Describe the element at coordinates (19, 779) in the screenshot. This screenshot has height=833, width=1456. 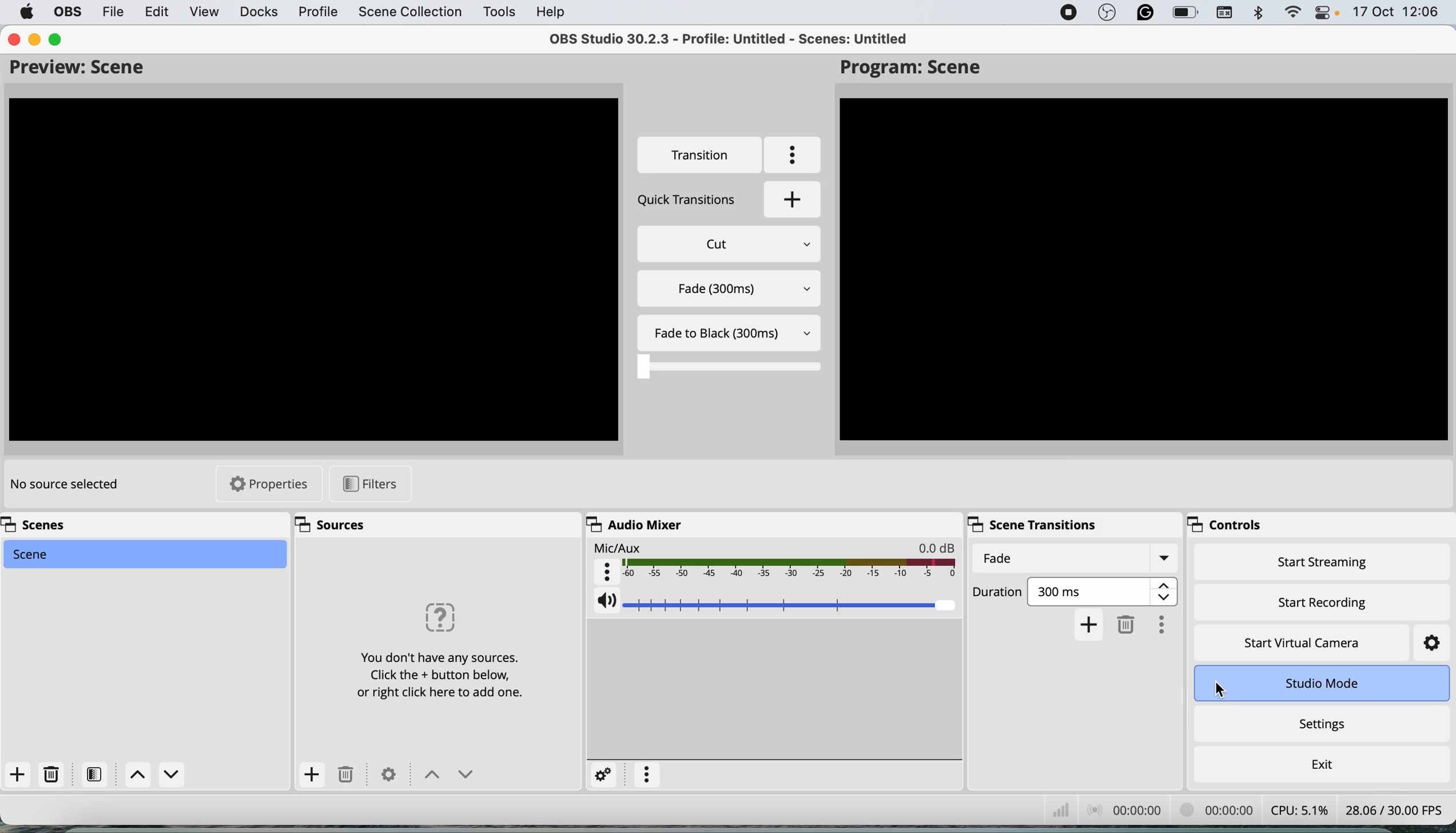
I see `add scene` at that location.